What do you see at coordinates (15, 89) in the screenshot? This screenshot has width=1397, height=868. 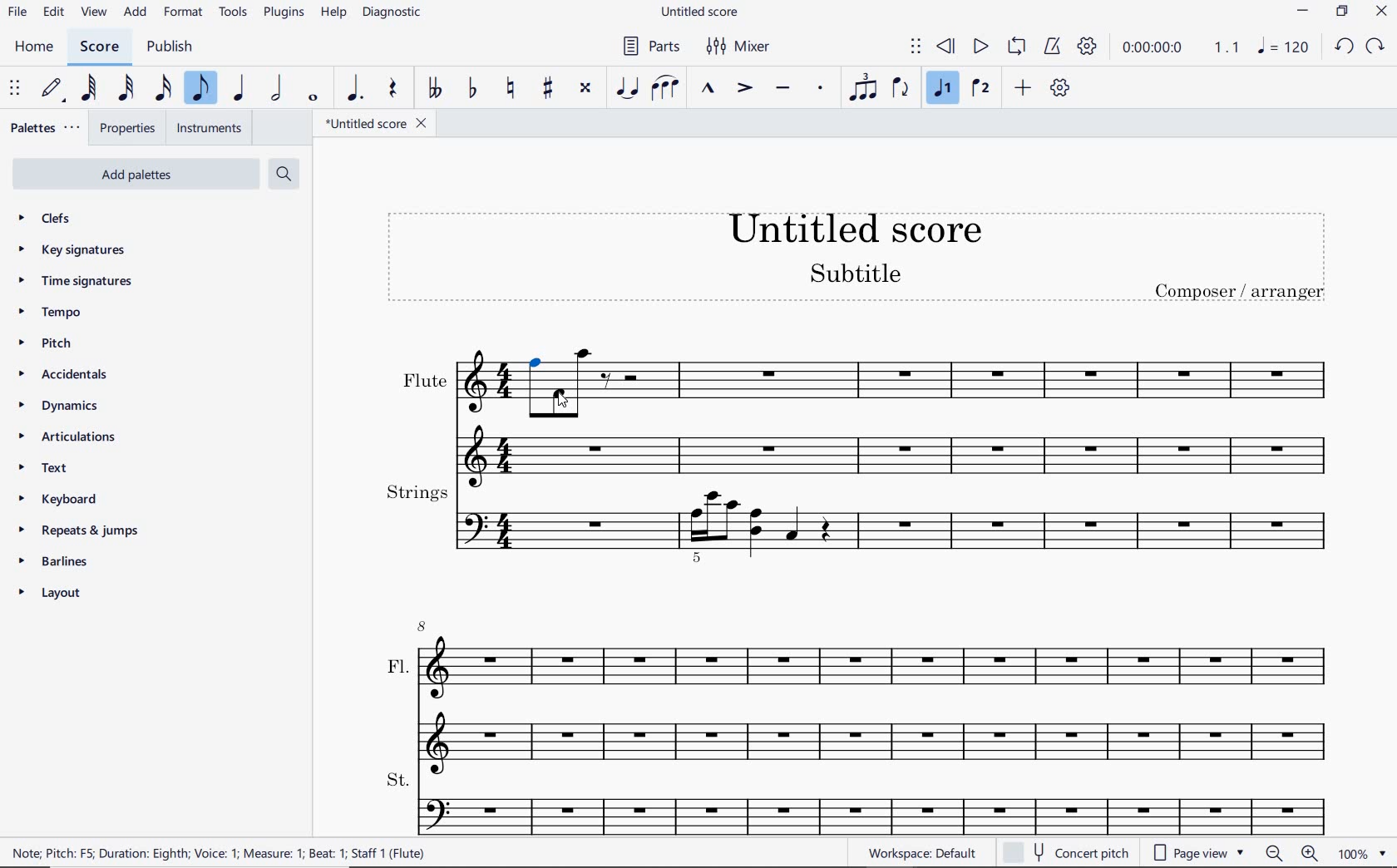 I see `SELECT TO MOVE` at bounding box center [15, 89].